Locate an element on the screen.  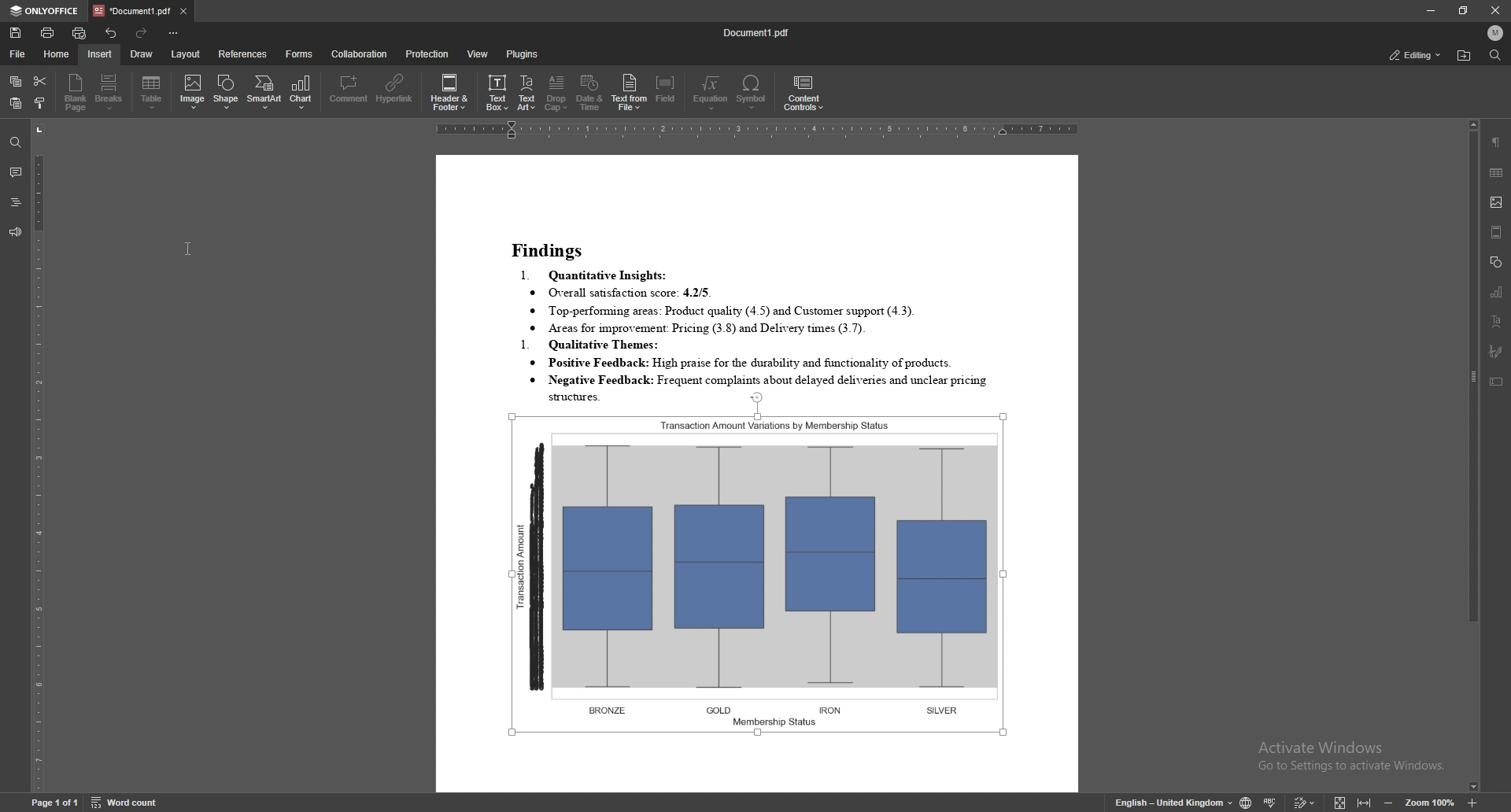
status is located at coordinates (1413, 54).